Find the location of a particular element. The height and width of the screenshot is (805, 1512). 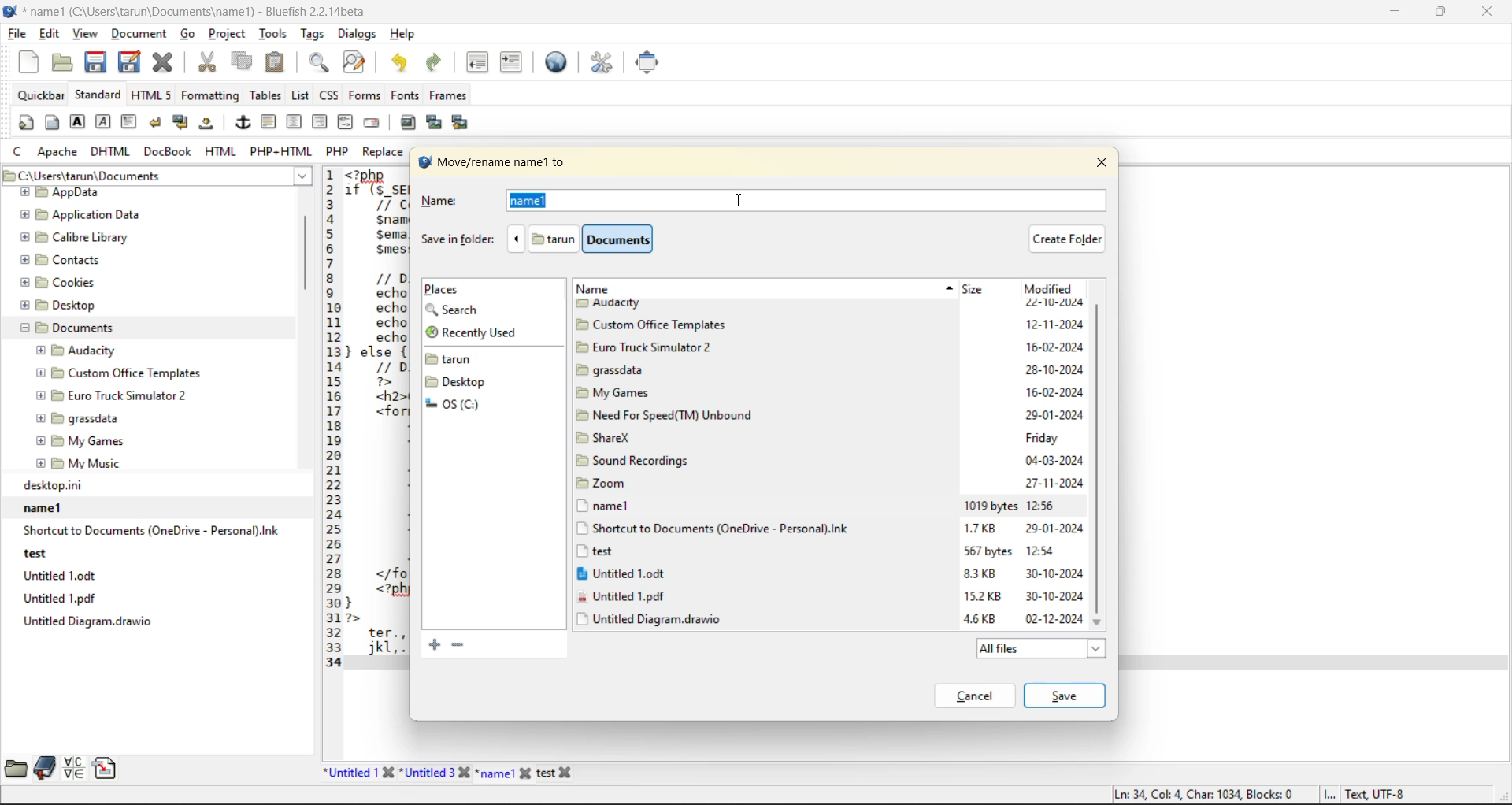

bookmarks is located at coordinates (46, 768).